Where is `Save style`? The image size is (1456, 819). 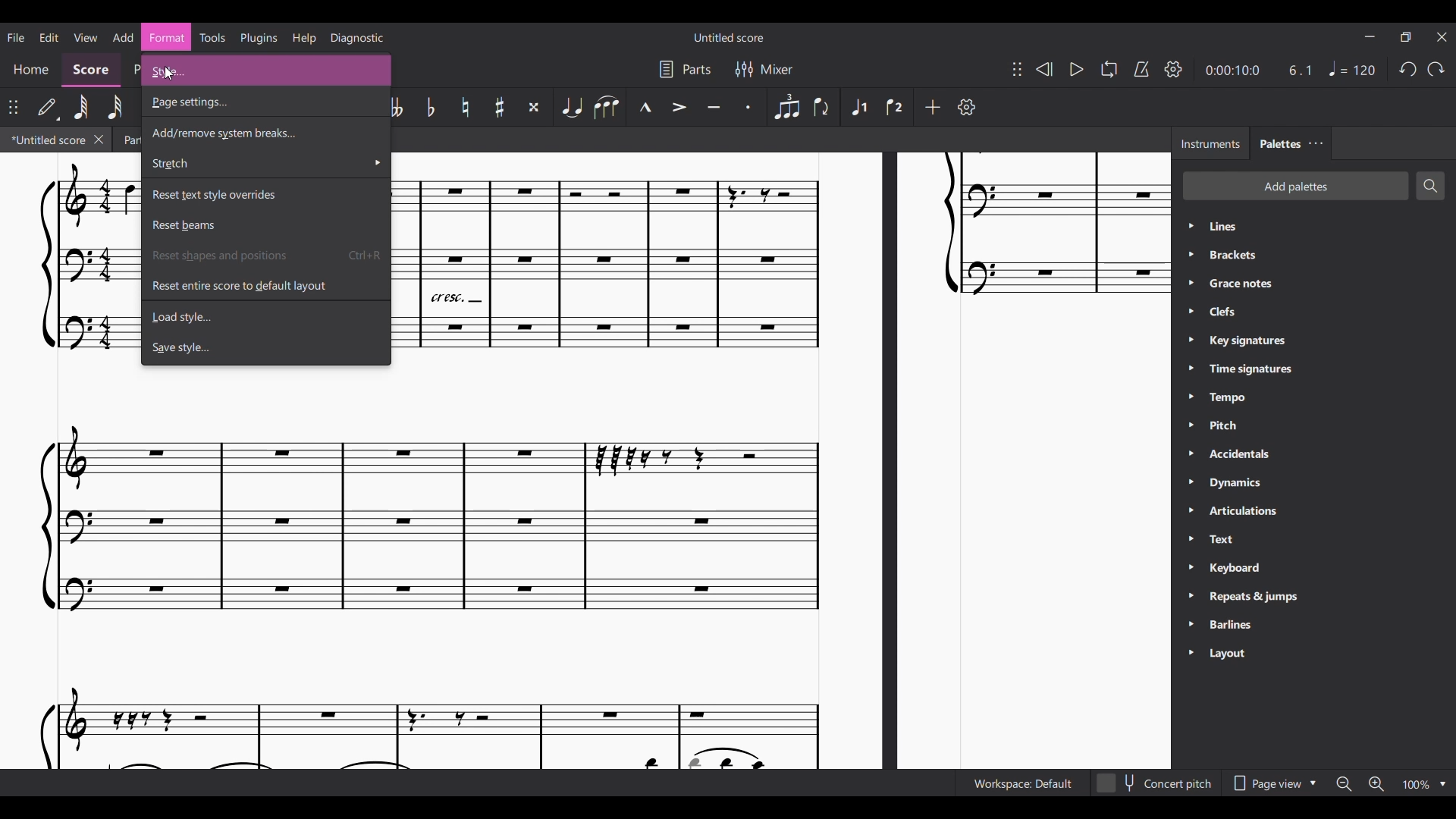 Save style is located at coordinates (265, 347).